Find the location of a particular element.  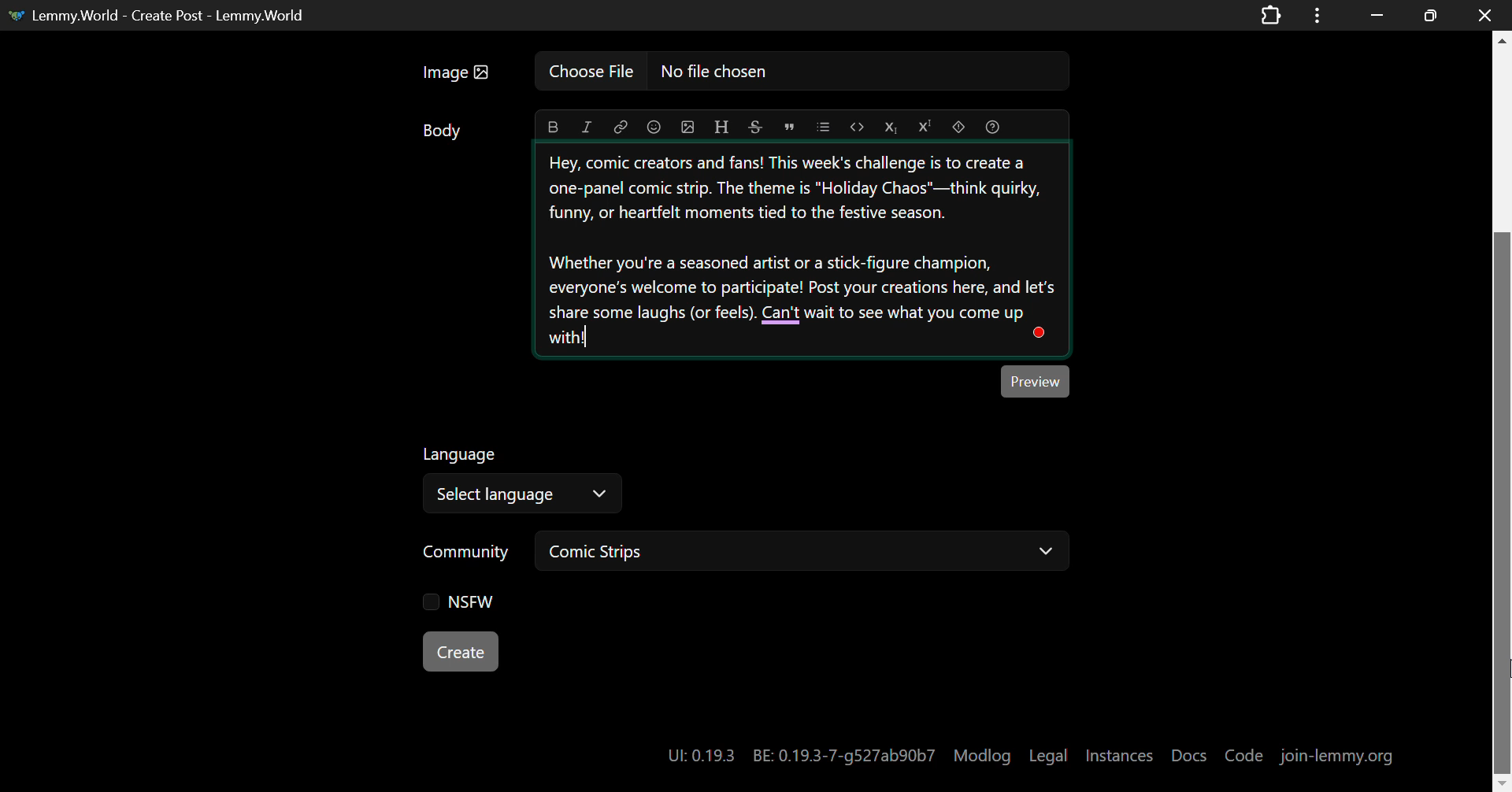

Docs is located at coordinates (1191, 755).